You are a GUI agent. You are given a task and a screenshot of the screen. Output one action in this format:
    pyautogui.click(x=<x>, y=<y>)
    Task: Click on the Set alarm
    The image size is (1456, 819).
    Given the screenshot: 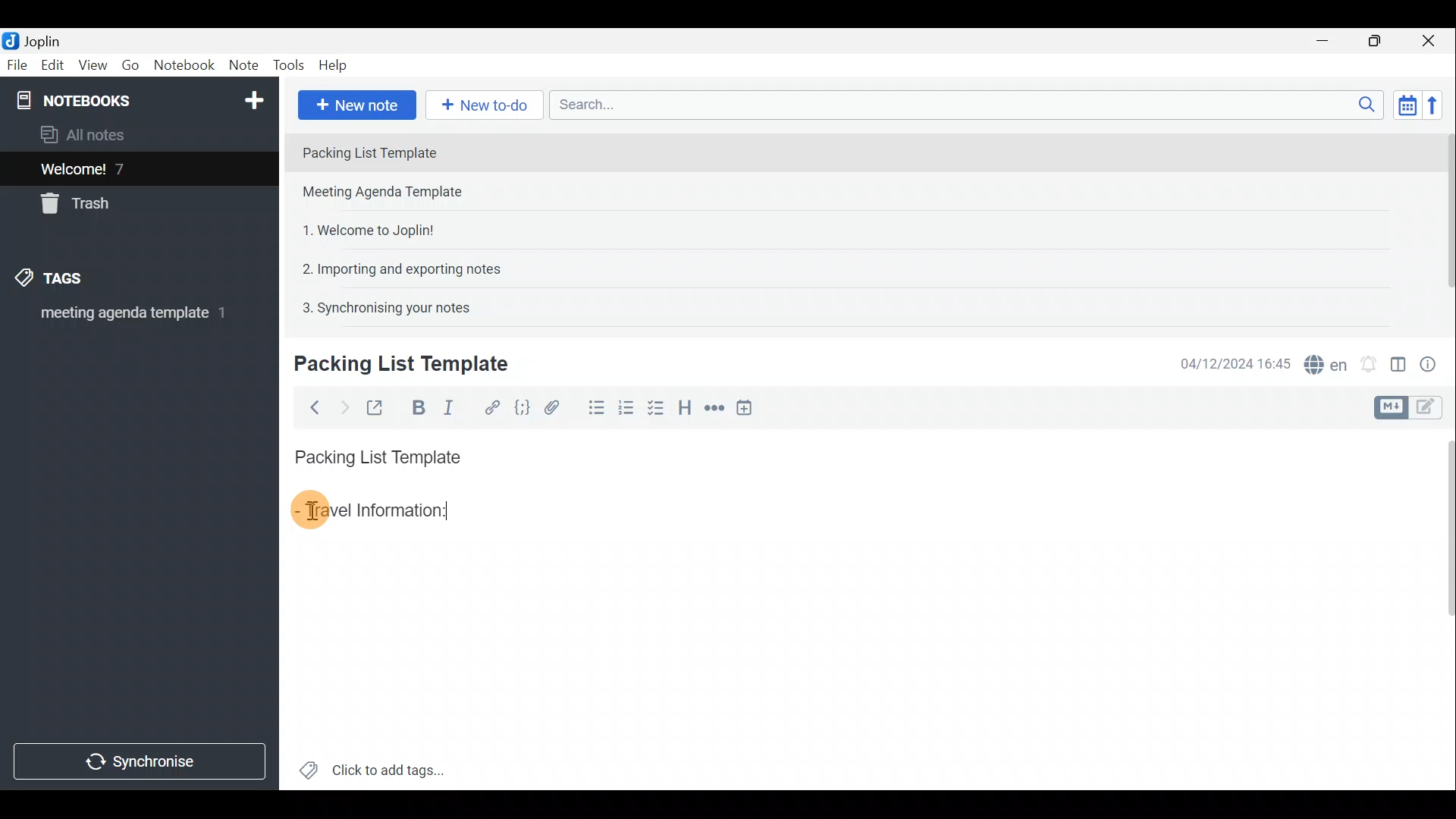 What is the action you would take?
    pyautogui.click(x=1368, y=360)
    